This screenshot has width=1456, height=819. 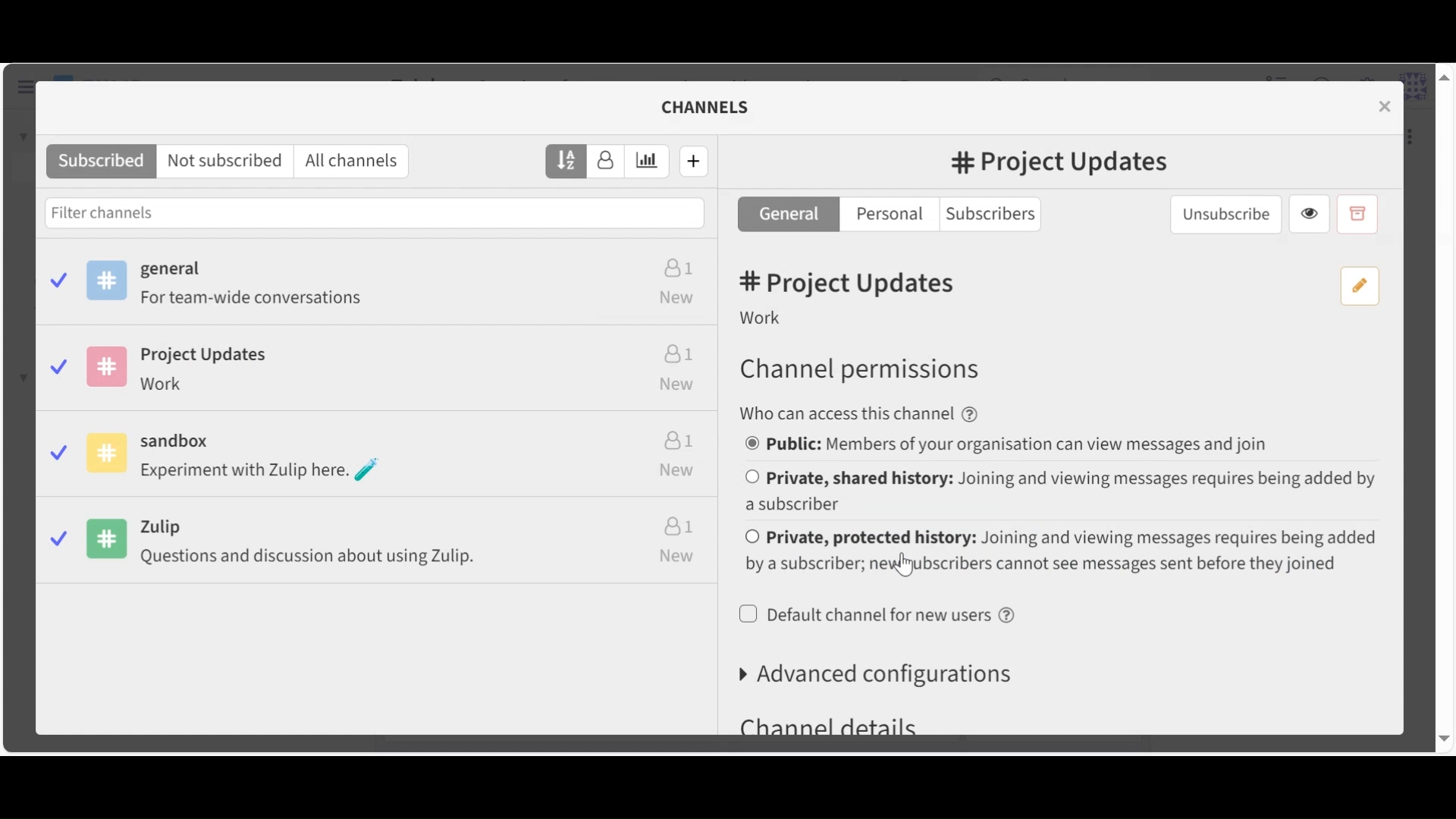 I want to click on Advanced configurations, so click(x=894, y=674).